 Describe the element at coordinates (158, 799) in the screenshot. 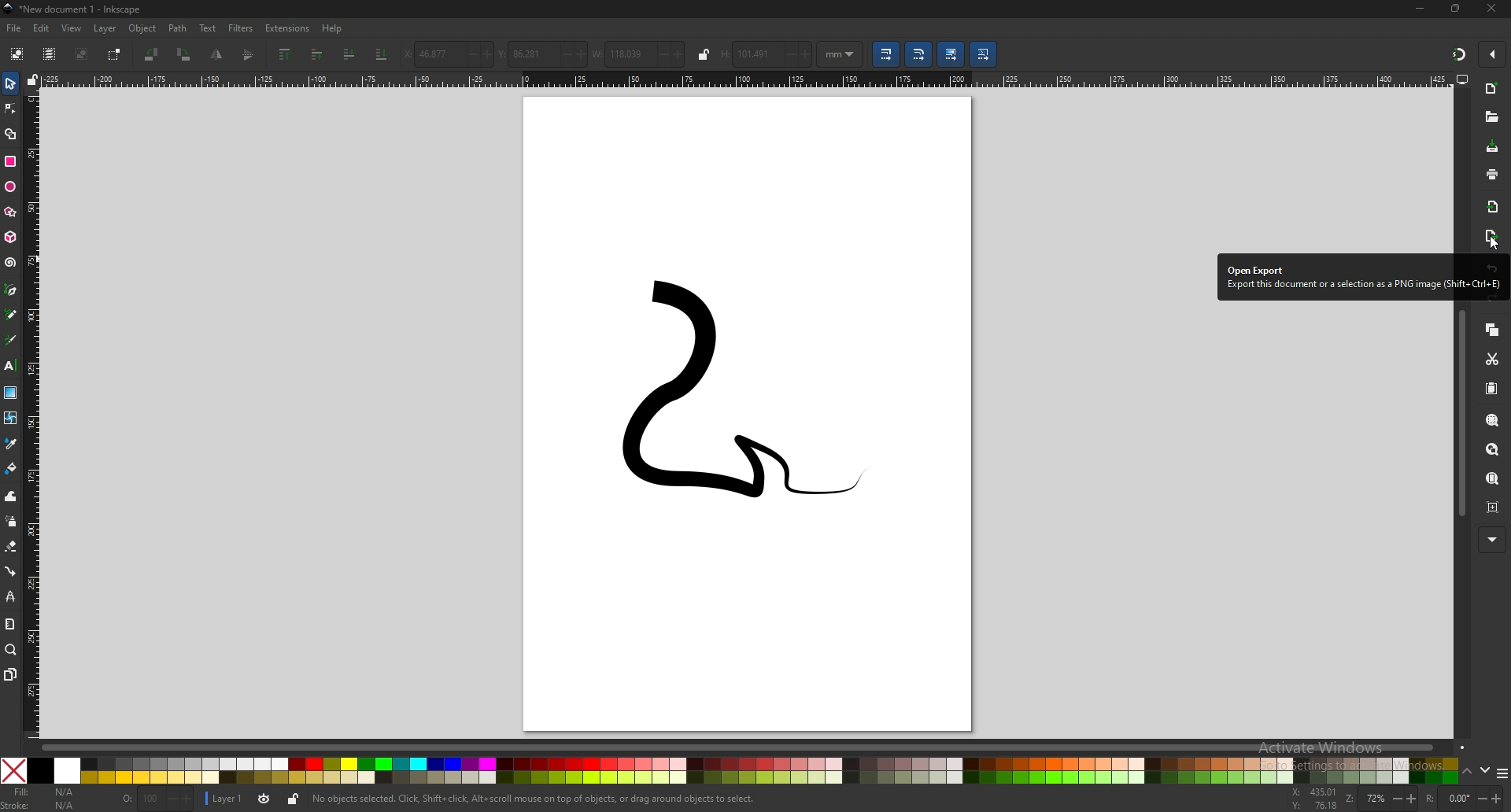

I see `opacity` at that location.